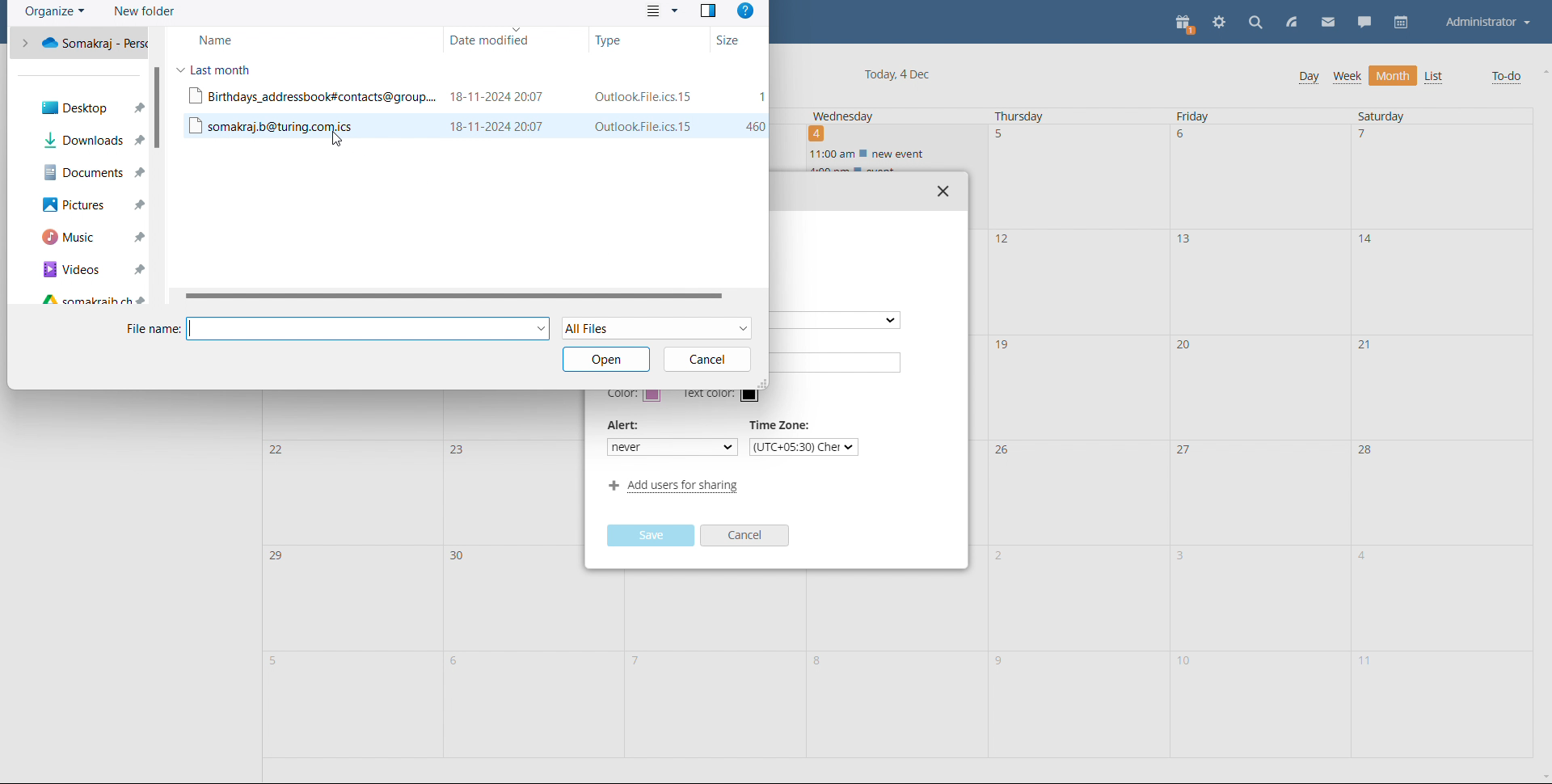  Describe the element at coordinates (84, 106) in the screenshot. I see `desktop` at that location.